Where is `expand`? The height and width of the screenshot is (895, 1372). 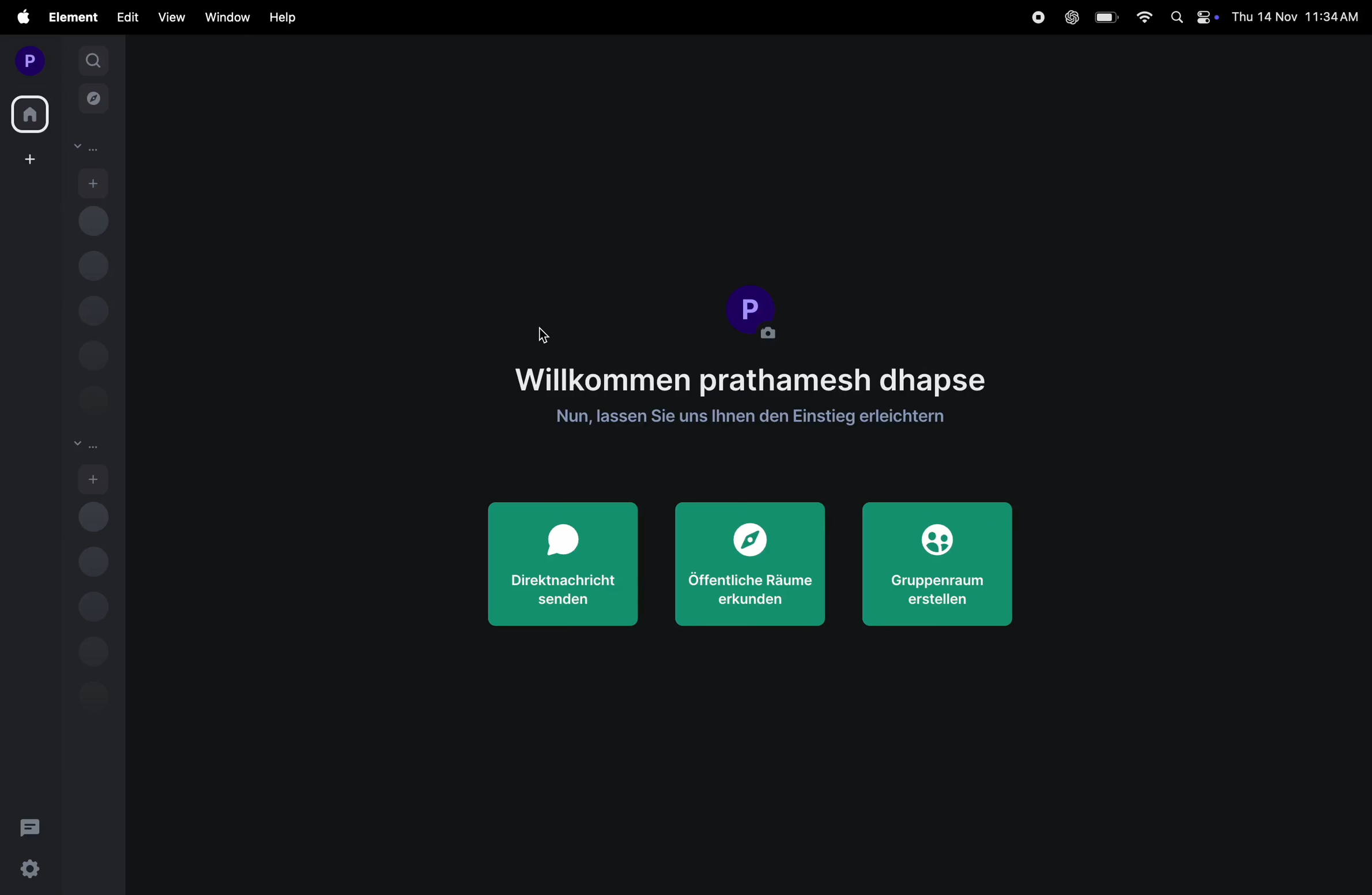
expand is located at coordinates (61, 61).